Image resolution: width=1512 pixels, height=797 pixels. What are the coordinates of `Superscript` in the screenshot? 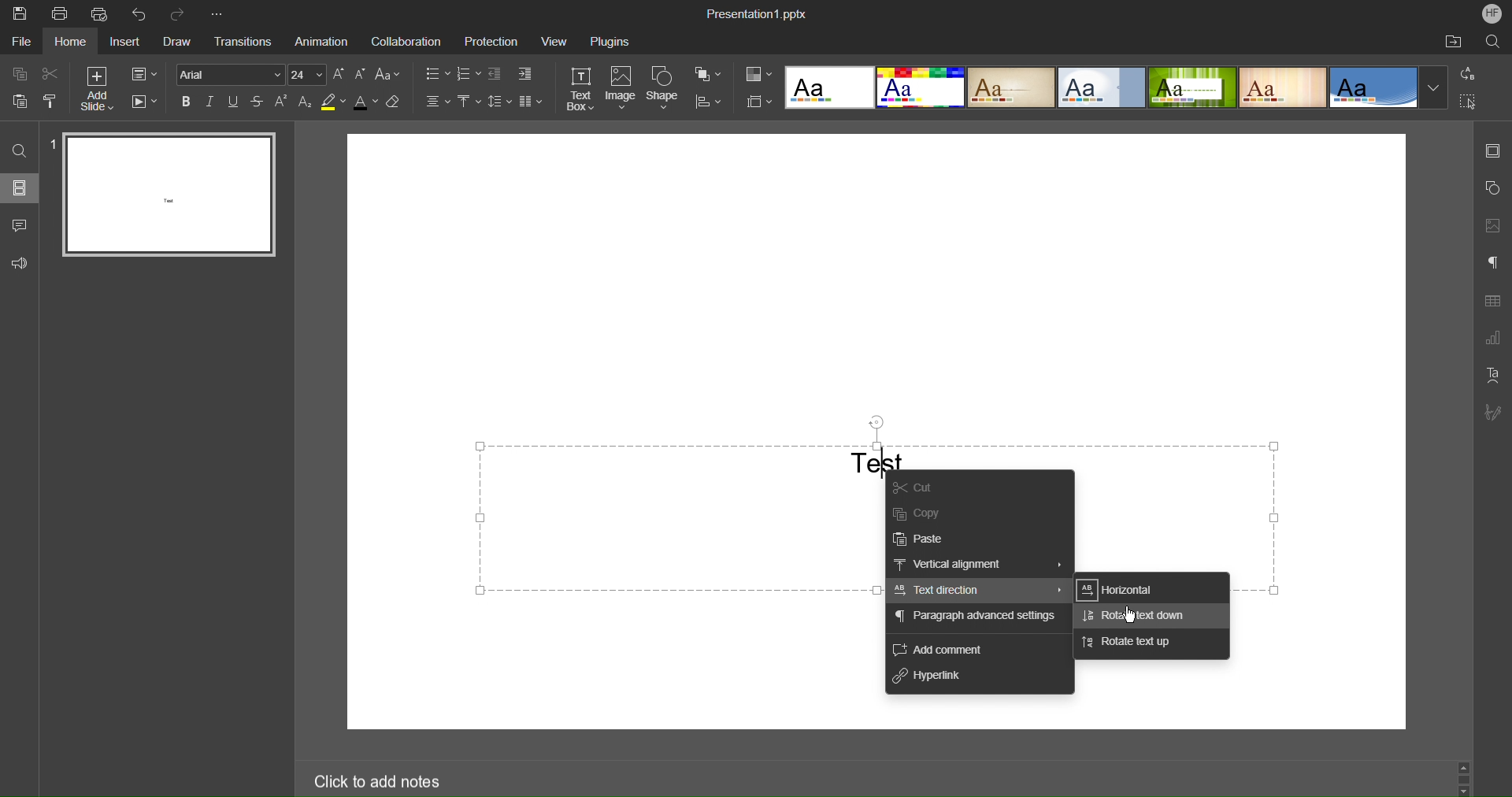 It's located at (281, 102).